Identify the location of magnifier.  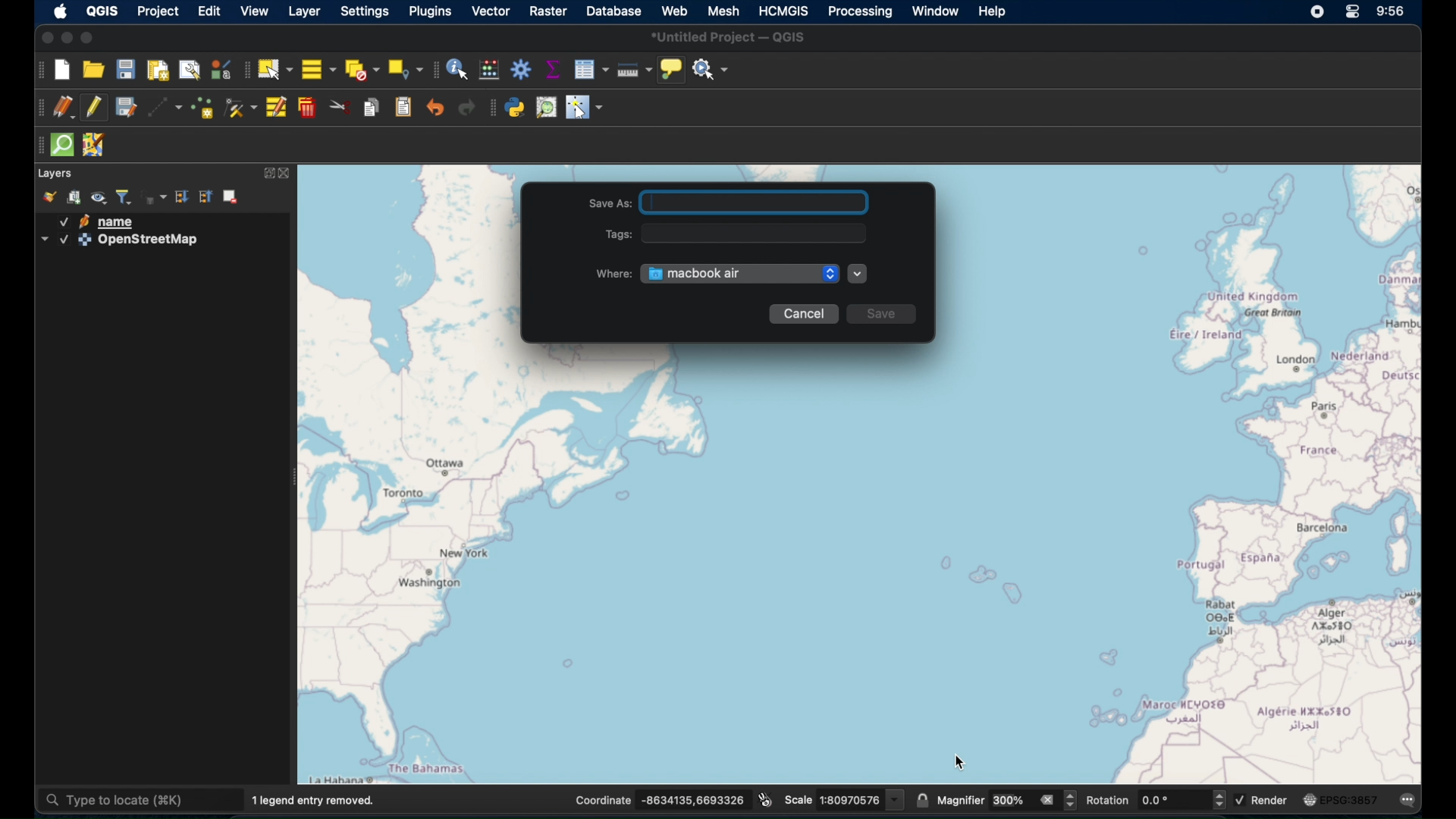
(1008, 799).